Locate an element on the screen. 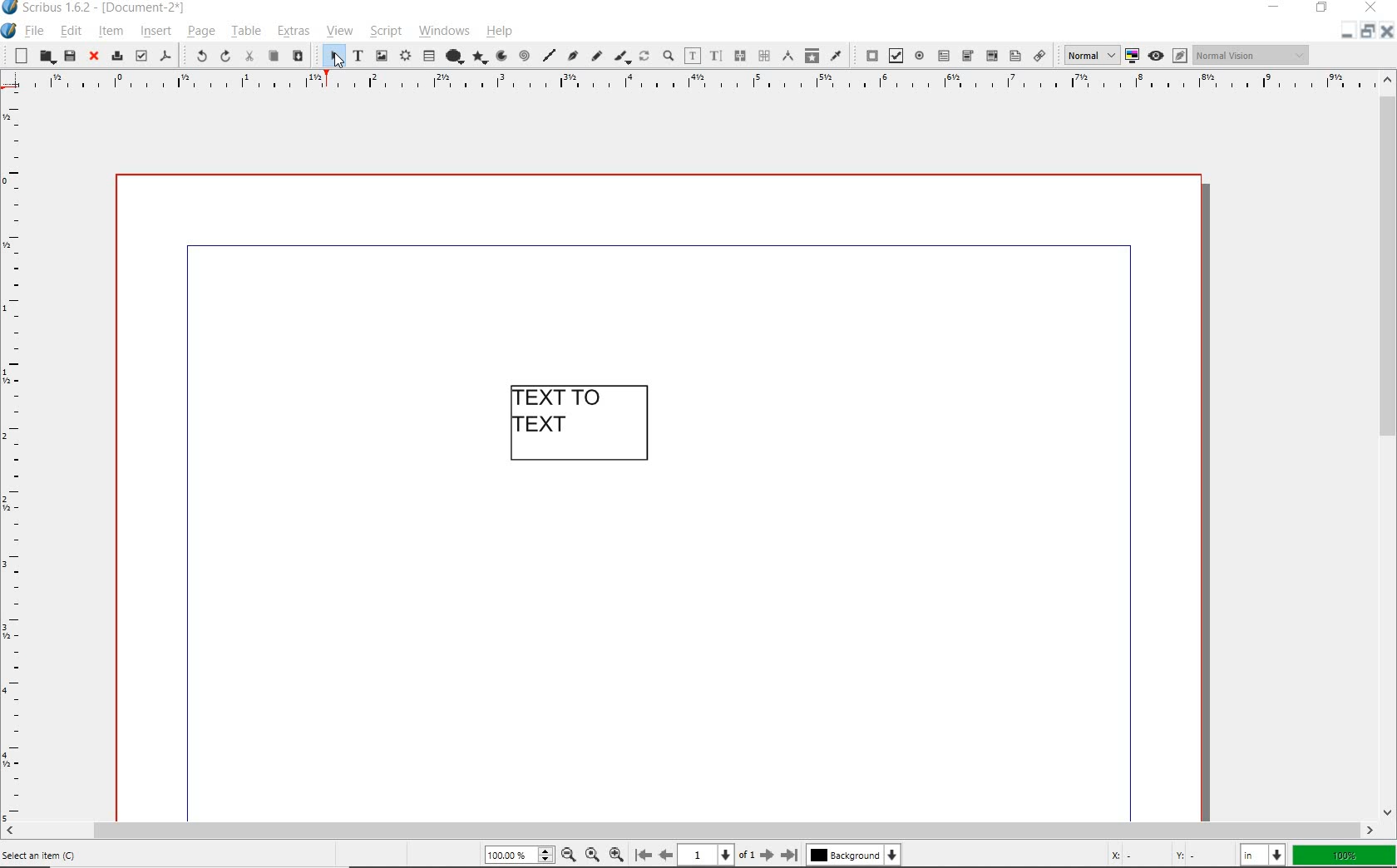 The image size is (1397, 868). shape is located at coordinates (454, 55).